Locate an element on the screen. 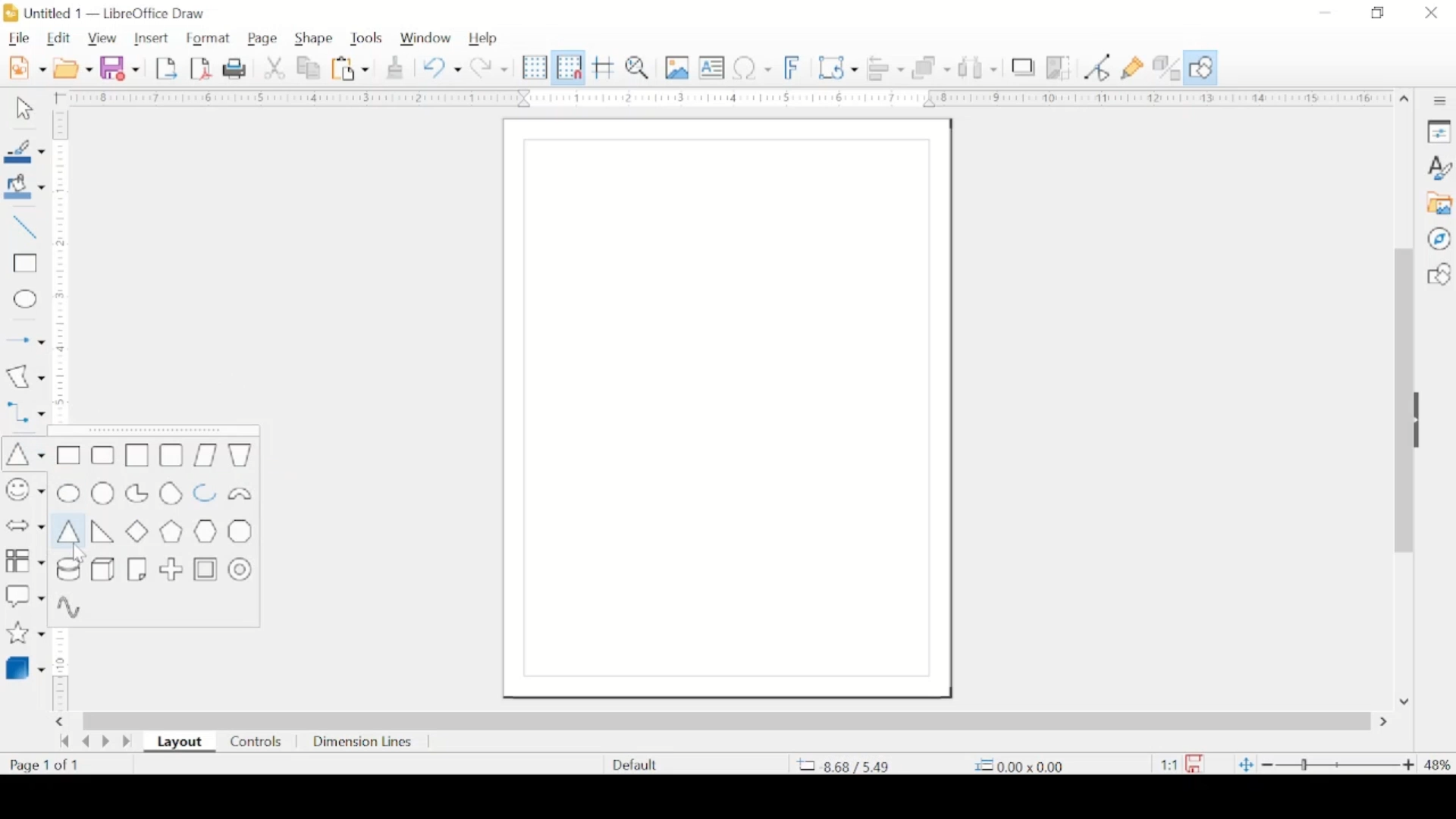 This screenshot has width=1456, height=819. isosceles triangle is located at coordinates (69, 530).